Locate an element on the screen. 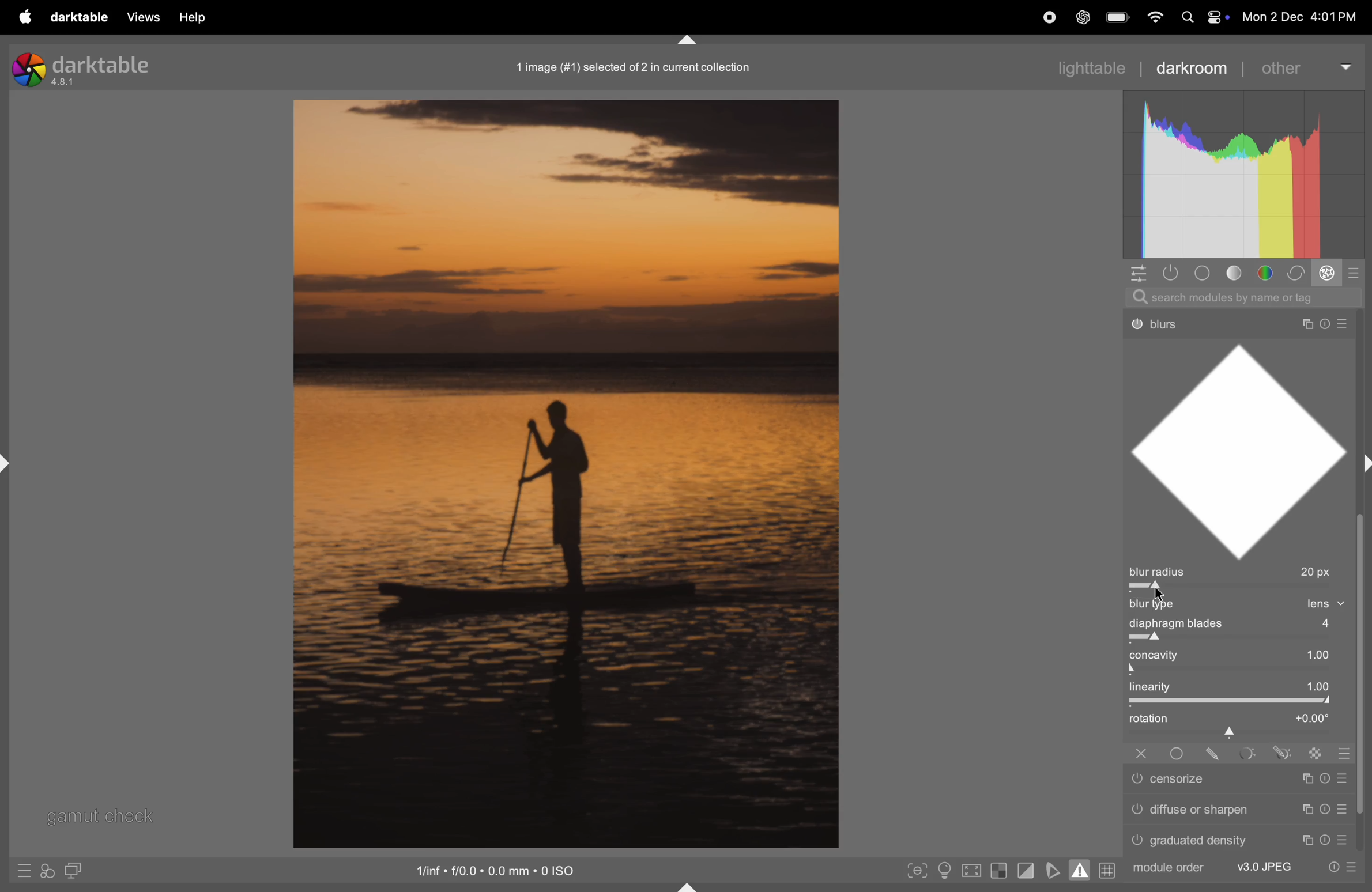 Image resolution: width=1372 pixels, height=892 pixels. togglee bar is located at coordinates (1234, 701).